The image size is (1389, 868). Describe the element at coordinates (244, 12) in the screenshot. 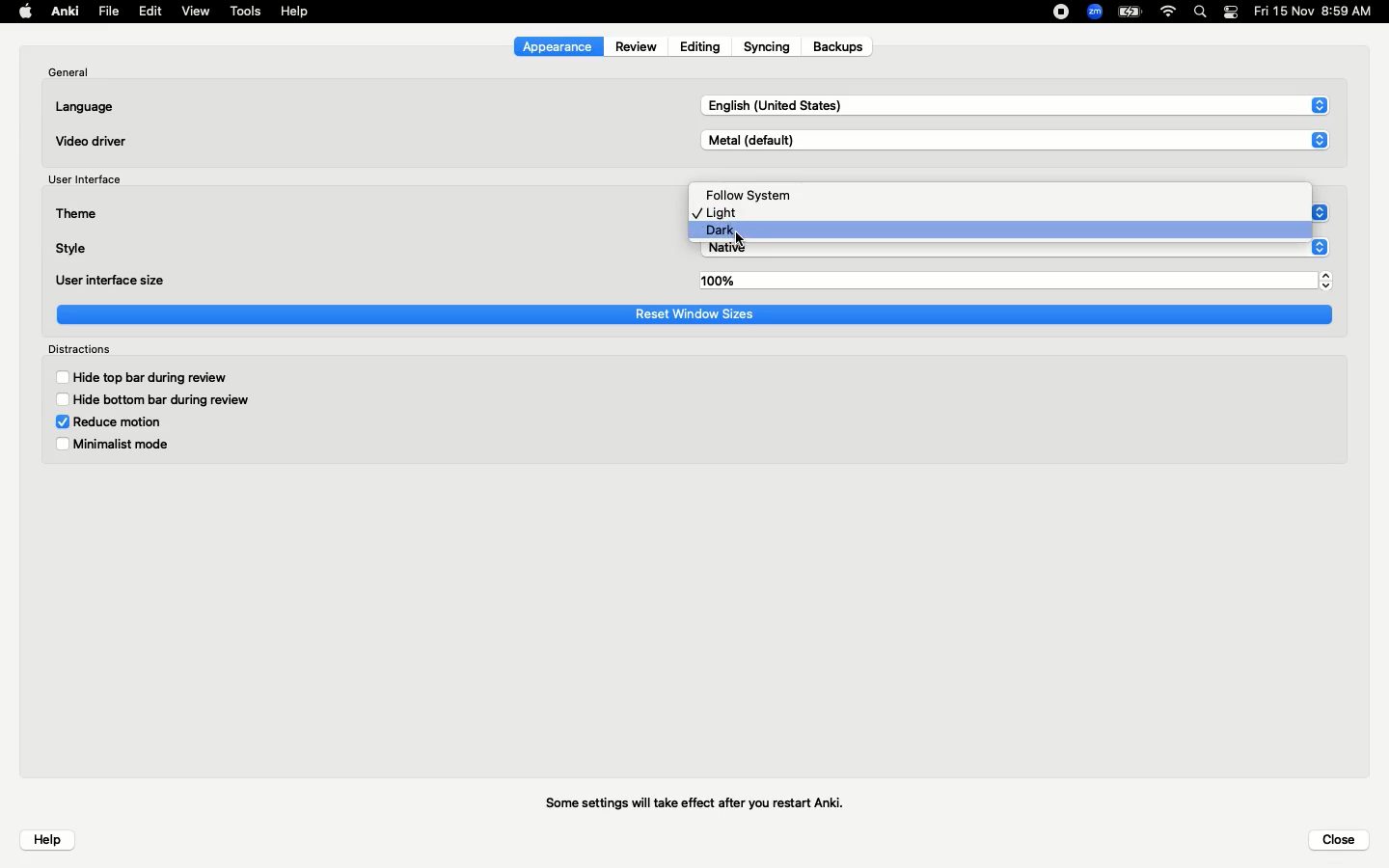

I see `Tools` at that location.